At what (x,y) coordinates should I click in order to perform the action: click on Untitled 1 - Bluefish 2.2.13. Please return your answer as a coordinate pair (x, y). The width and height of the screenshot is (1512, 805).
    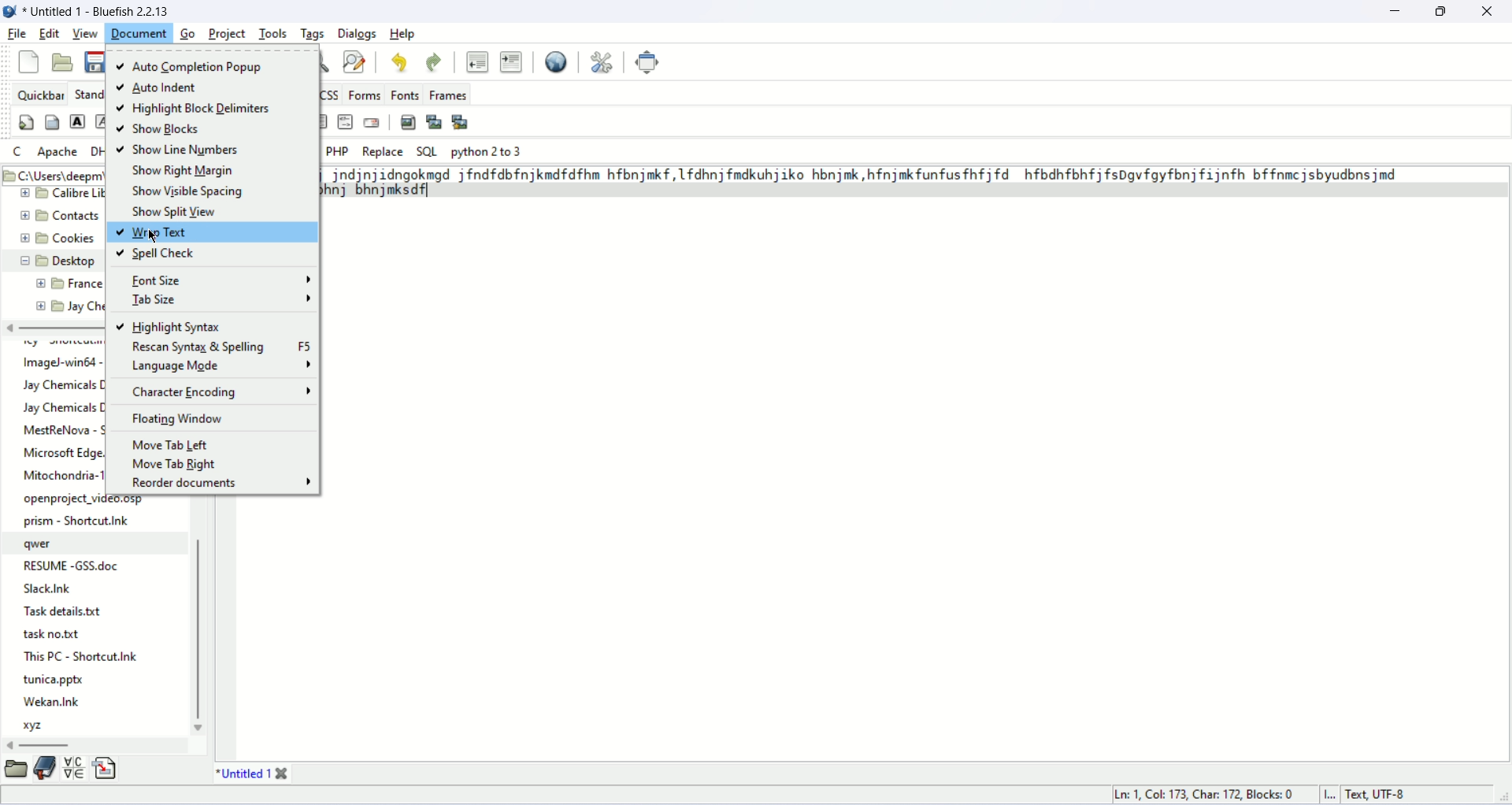
    Looking at the image, I should click on (101, 12).